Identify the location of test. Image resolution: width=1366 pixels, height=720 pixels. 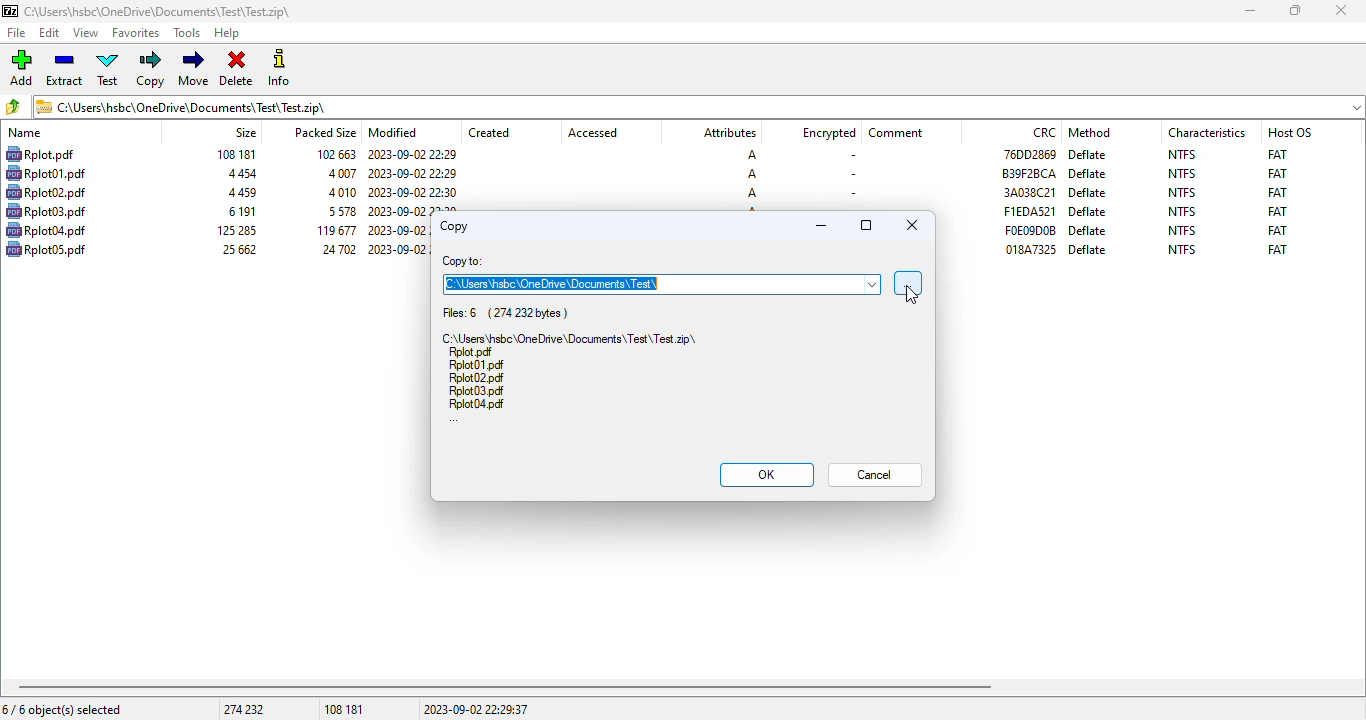
(109, 69).